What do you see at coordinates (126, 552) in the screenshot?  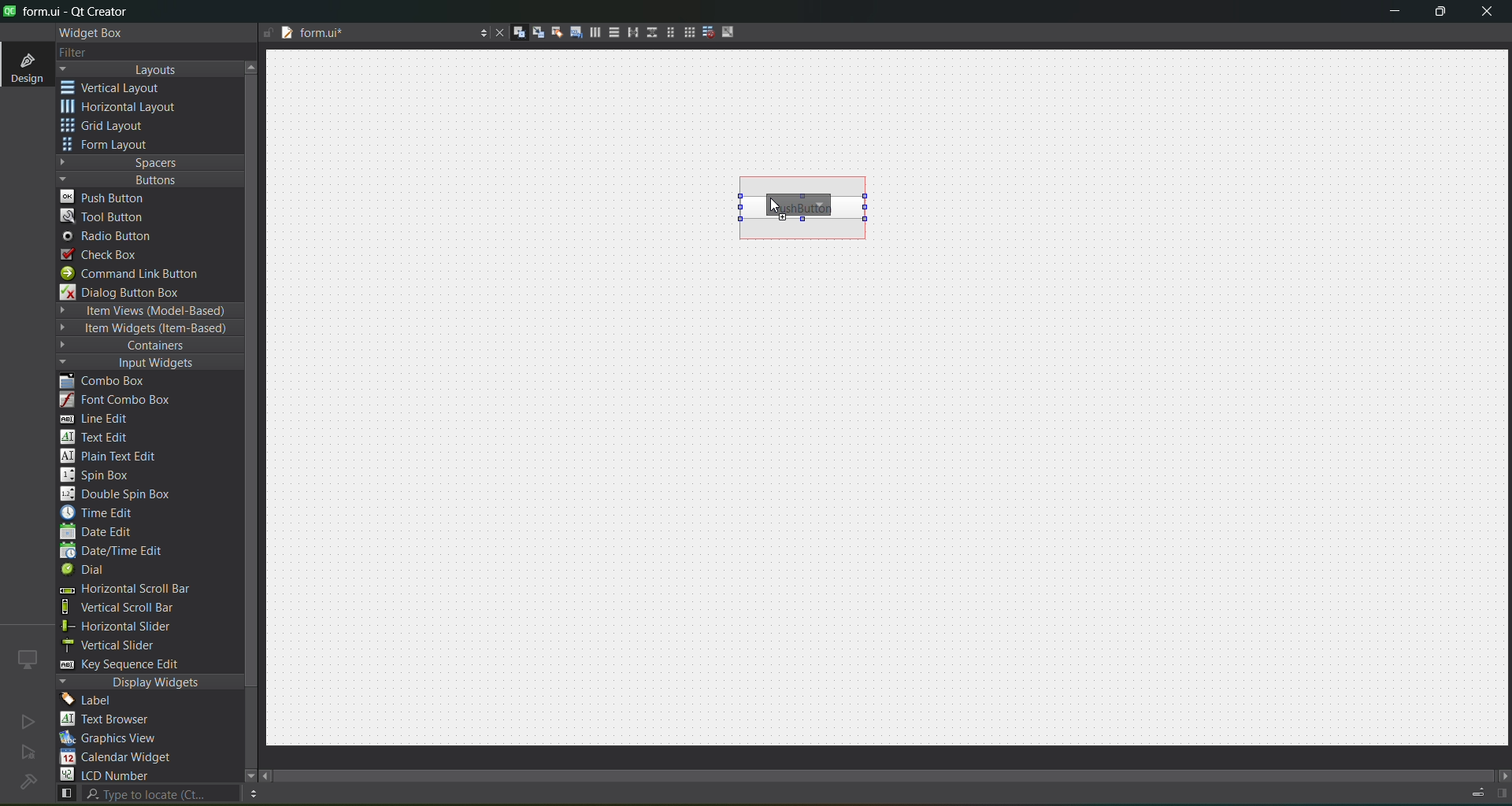 I see `date/time edit` at bounding box center [126, 552].